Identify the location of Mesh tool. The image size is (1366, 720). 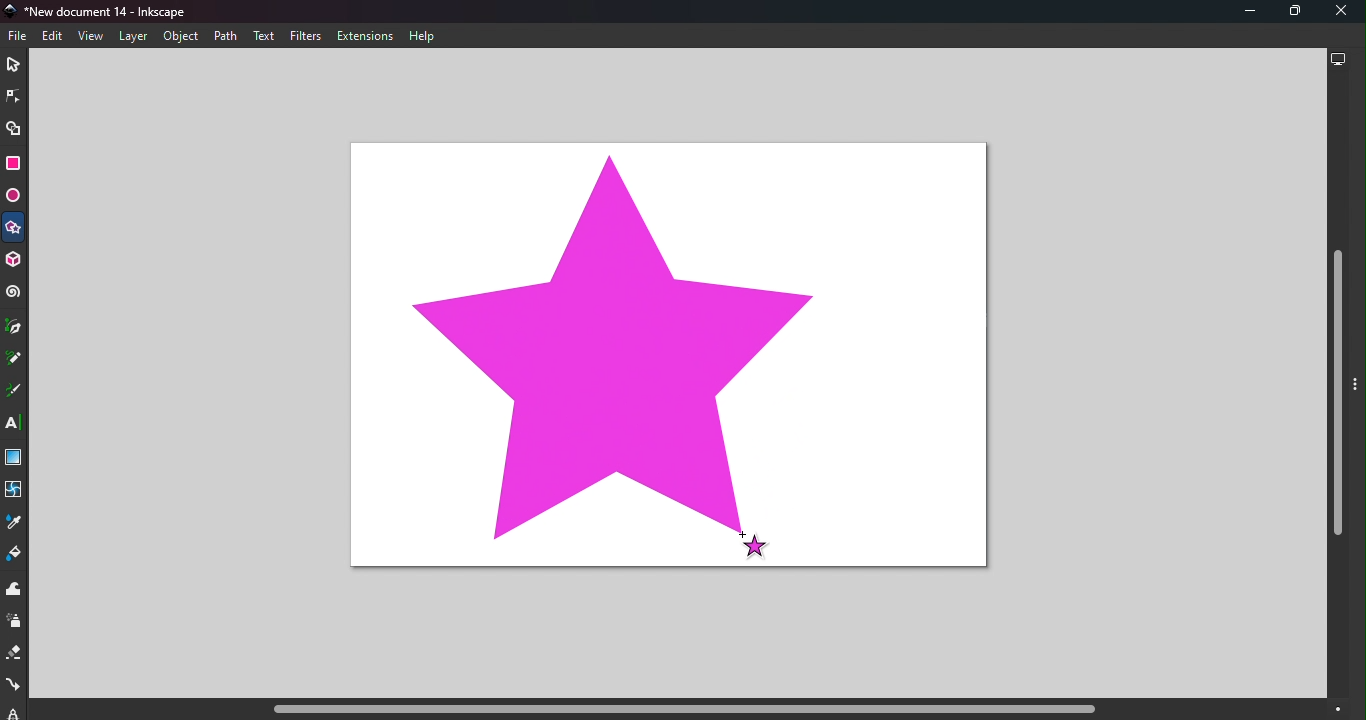
(16, 495).